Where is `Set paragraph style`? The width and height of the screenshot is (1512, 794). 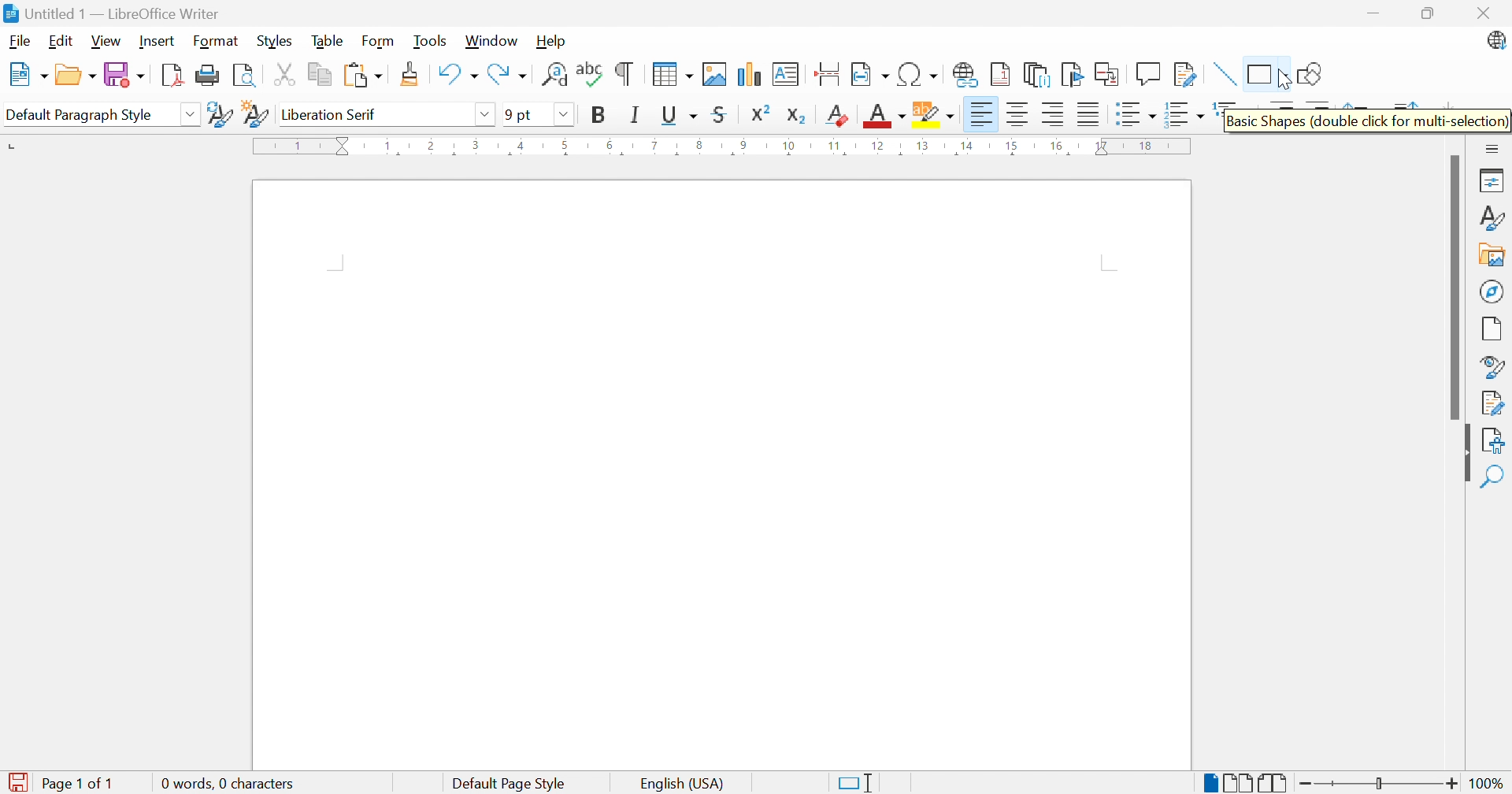
Set paragraph style is located at coordinates (88, 115).